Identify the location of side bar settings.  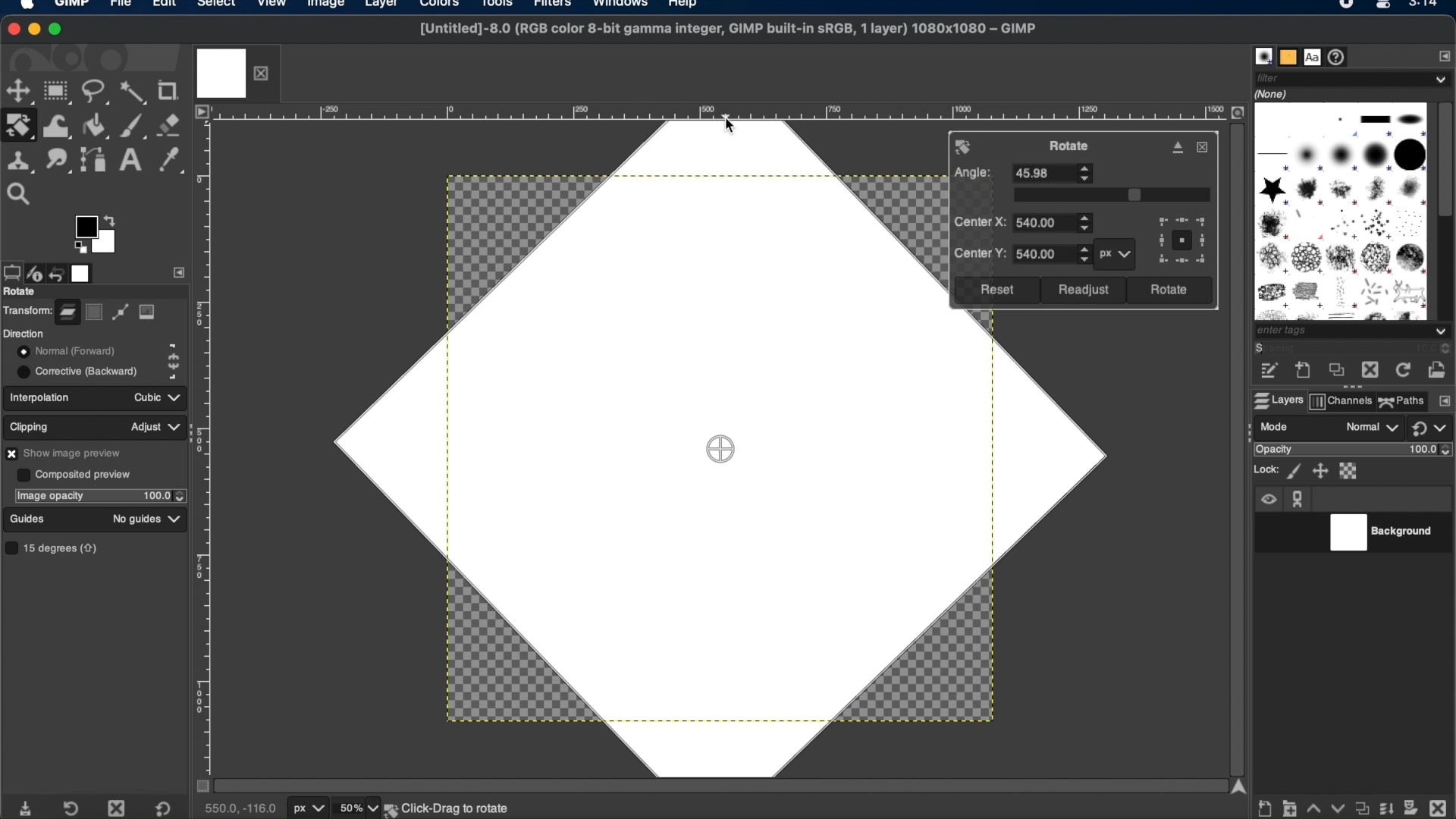
(180, 271).